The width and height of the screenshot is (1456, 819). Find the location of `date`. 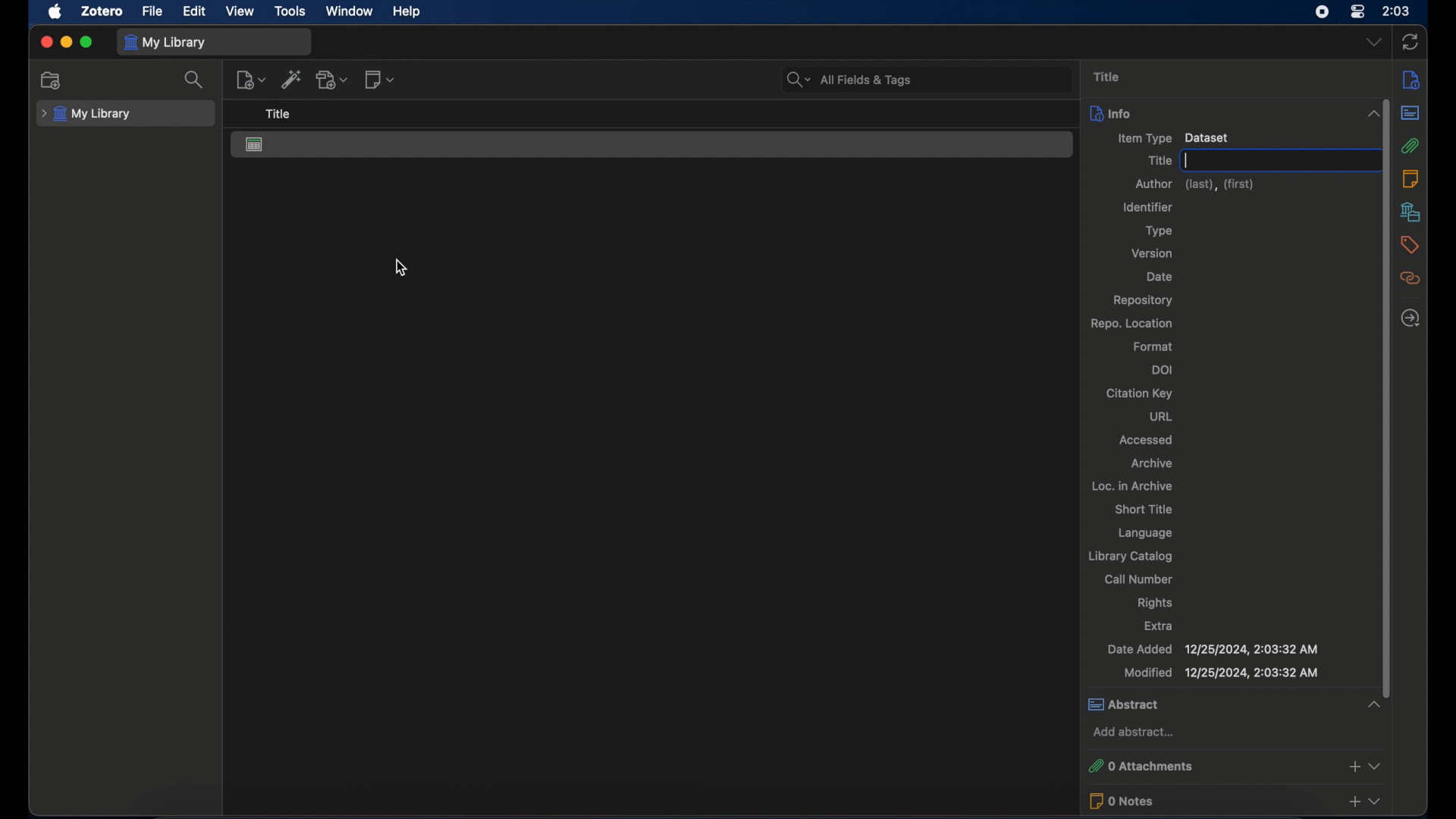

date is located at coordinates (1159, 276).